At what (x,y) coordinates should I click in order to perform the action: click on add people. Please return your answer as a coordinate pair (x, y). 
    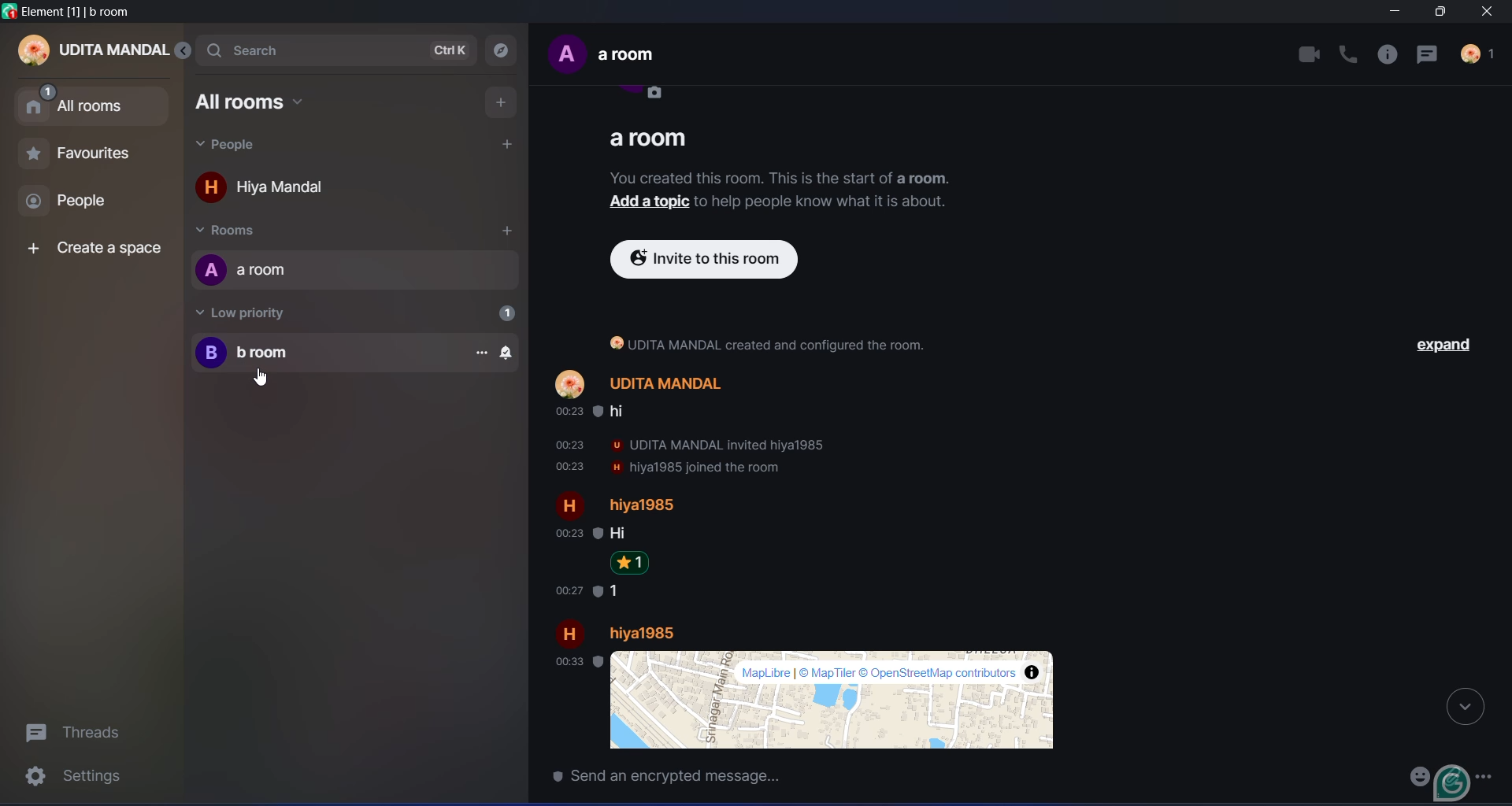
    Looking at the image, I should click on (507, 143).